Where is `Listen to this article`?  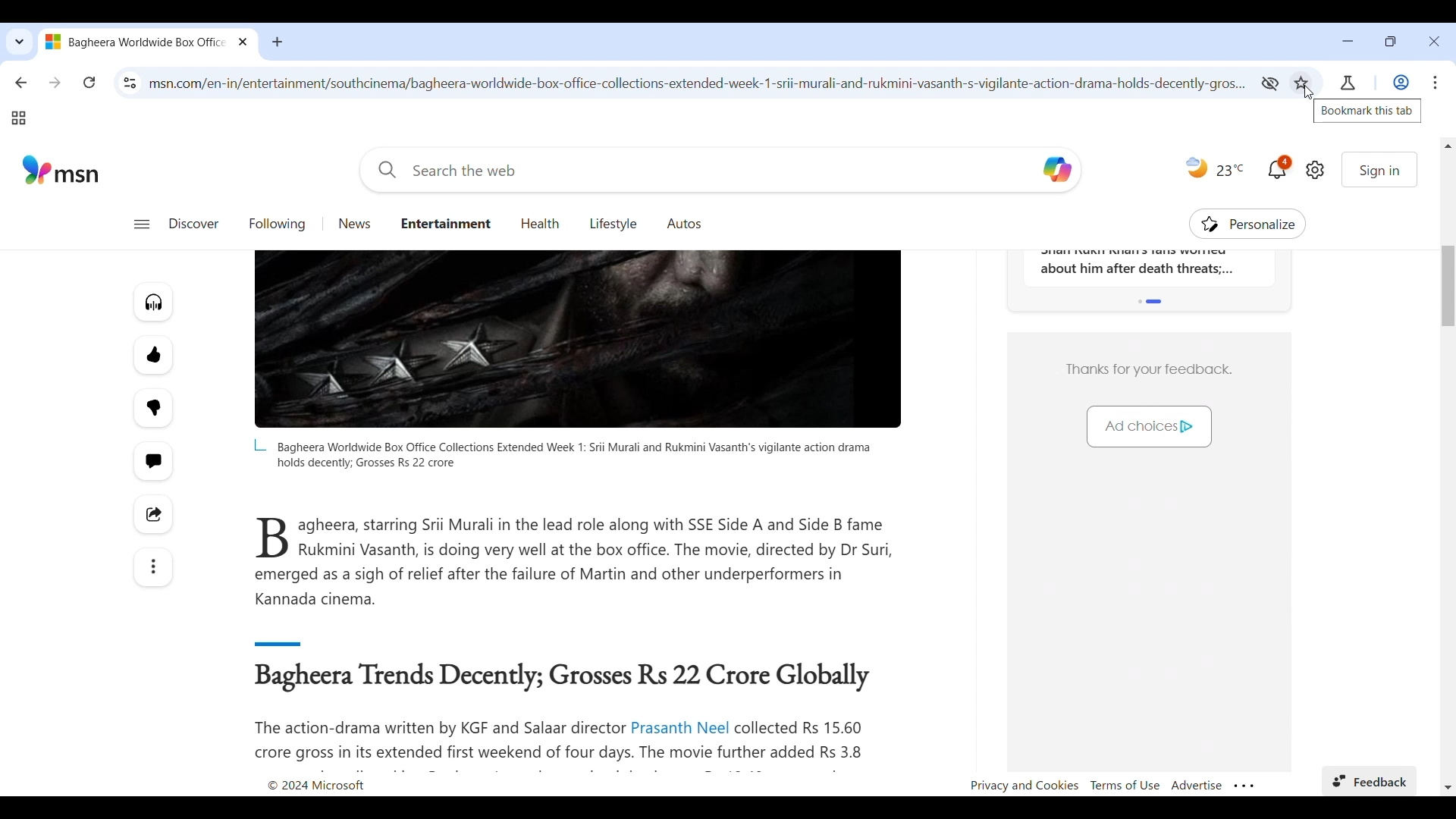 Listen to this article is located at coordinates (153, 302).